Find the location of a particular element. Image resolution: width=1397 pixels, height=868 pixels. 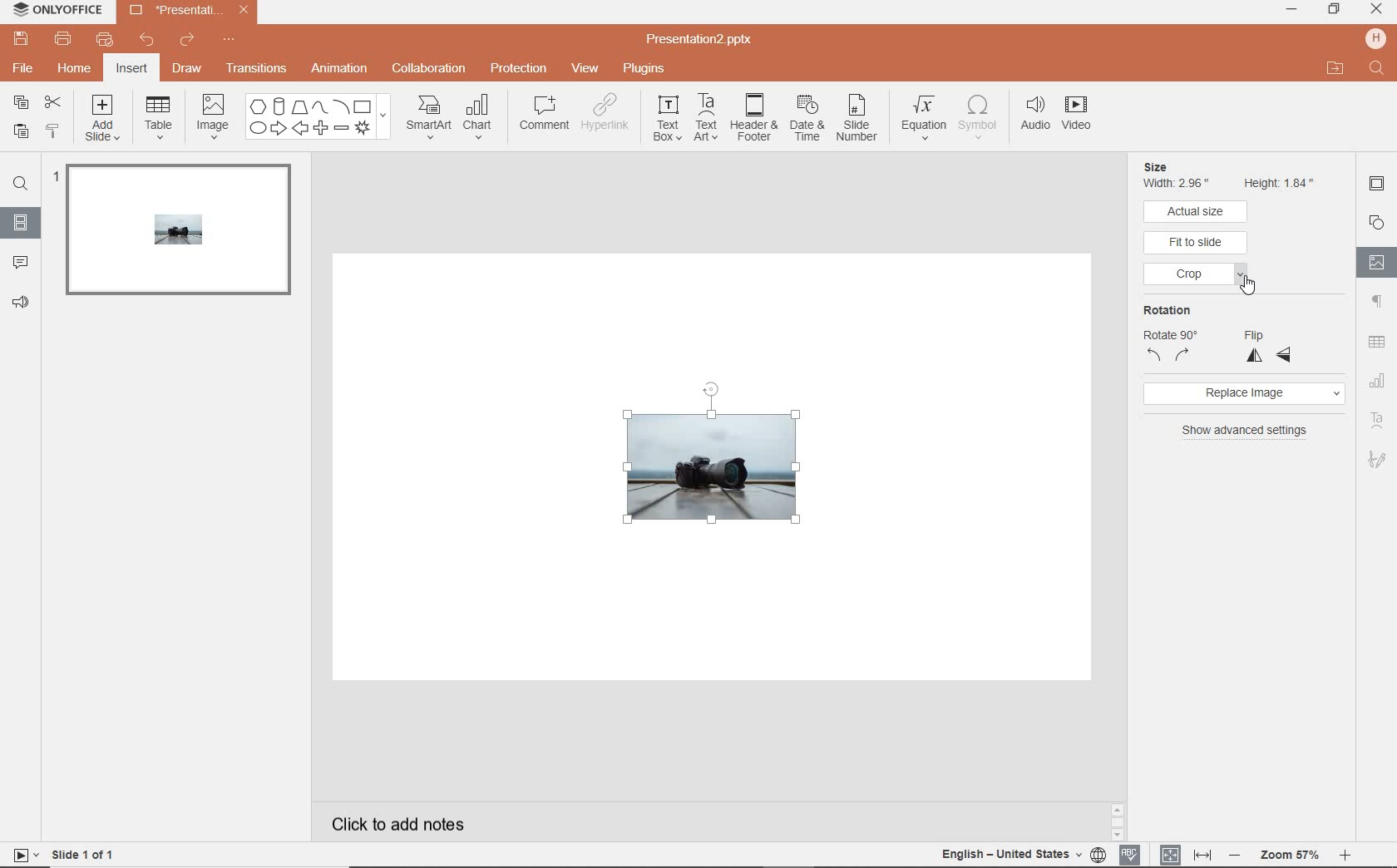

image settings is located at coordinates (1377, 262).